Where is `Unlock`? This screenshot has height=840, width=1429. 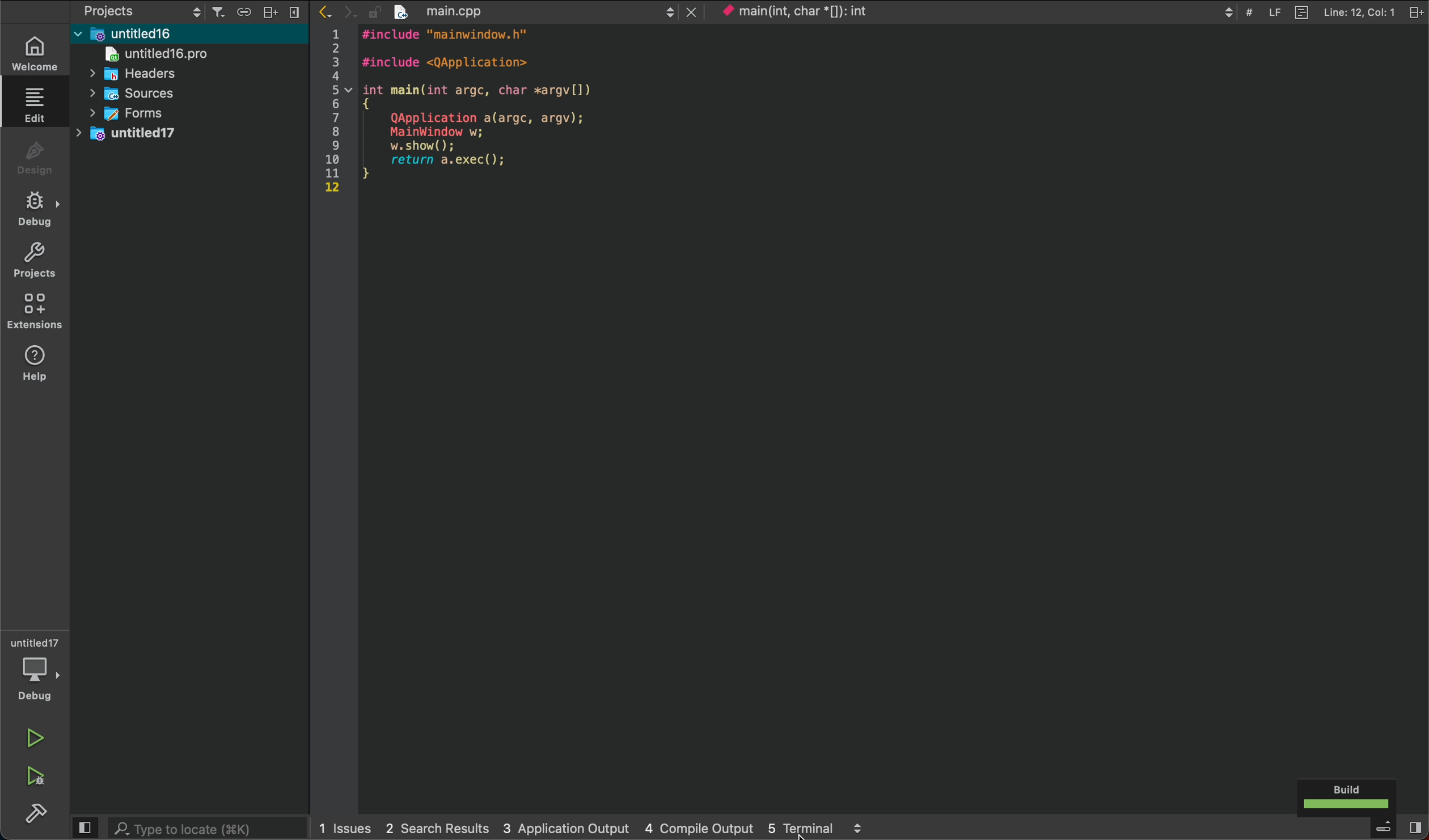 Unlock is located at coordinates (374, 12).